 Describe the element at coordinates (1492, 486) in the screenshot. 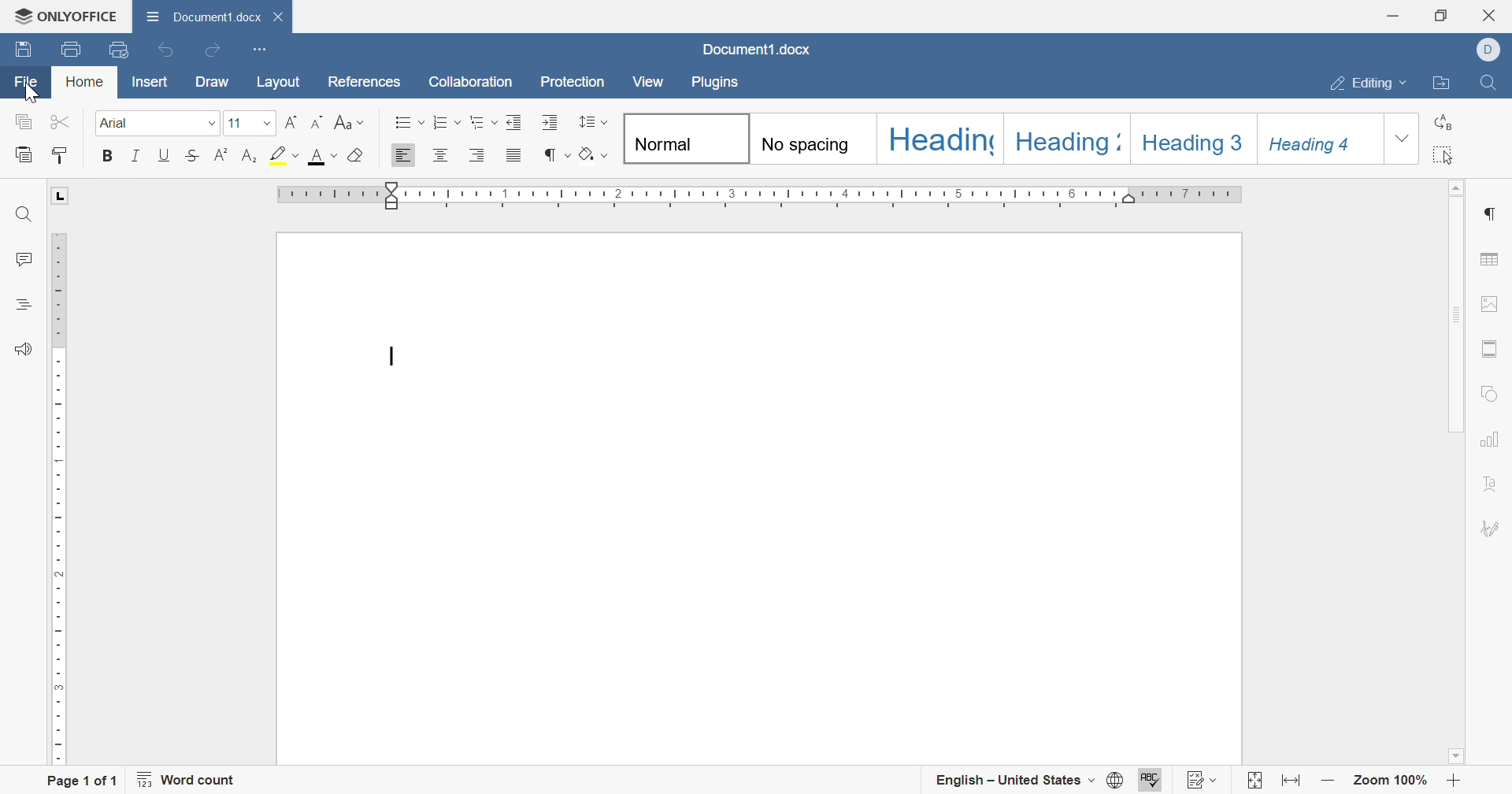

I see `text art settings` at that location.